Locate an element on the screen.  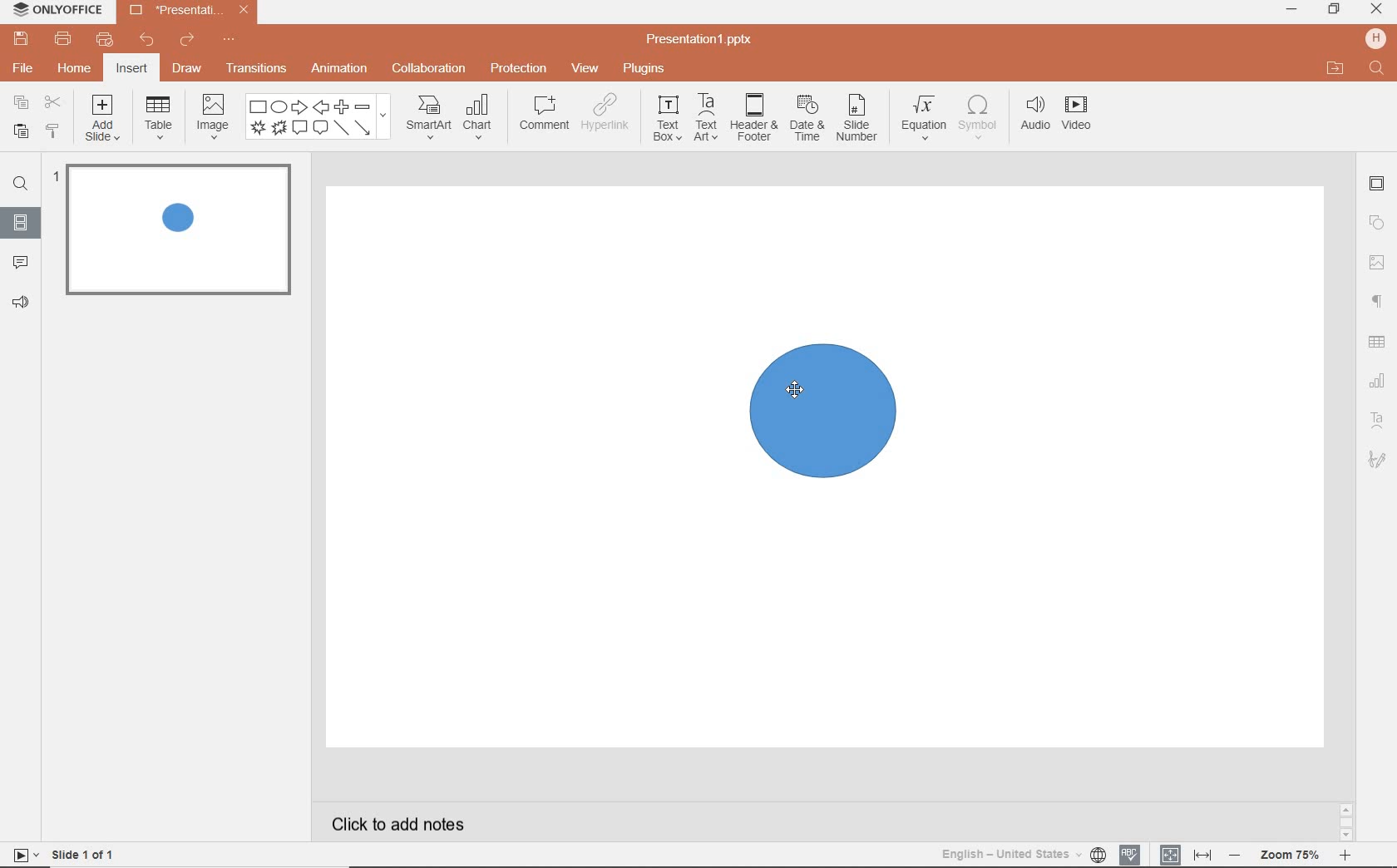
slide number is located at coordinates (857, 119).